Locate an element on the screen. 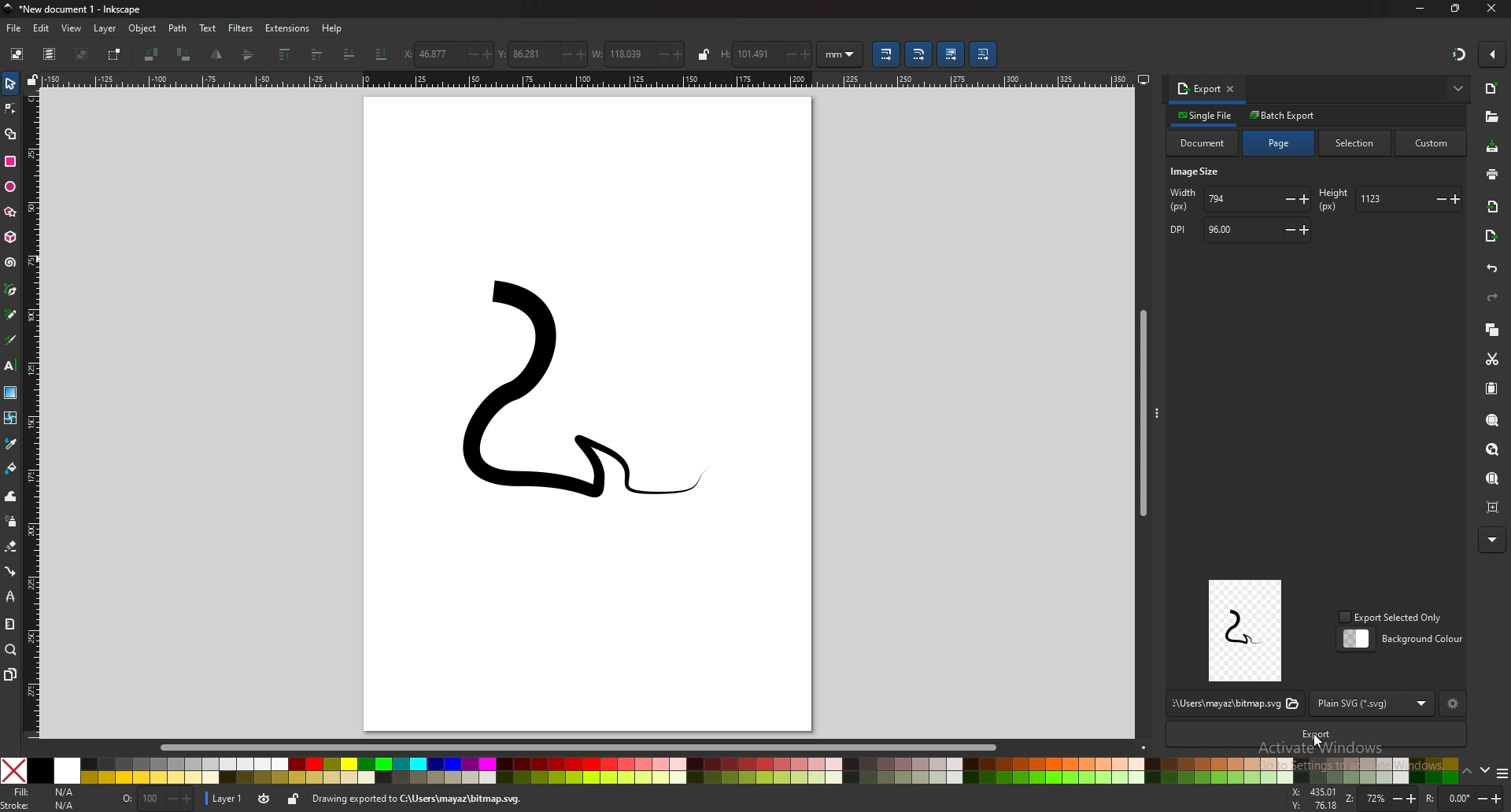  help is located at coordinates (333, 29).